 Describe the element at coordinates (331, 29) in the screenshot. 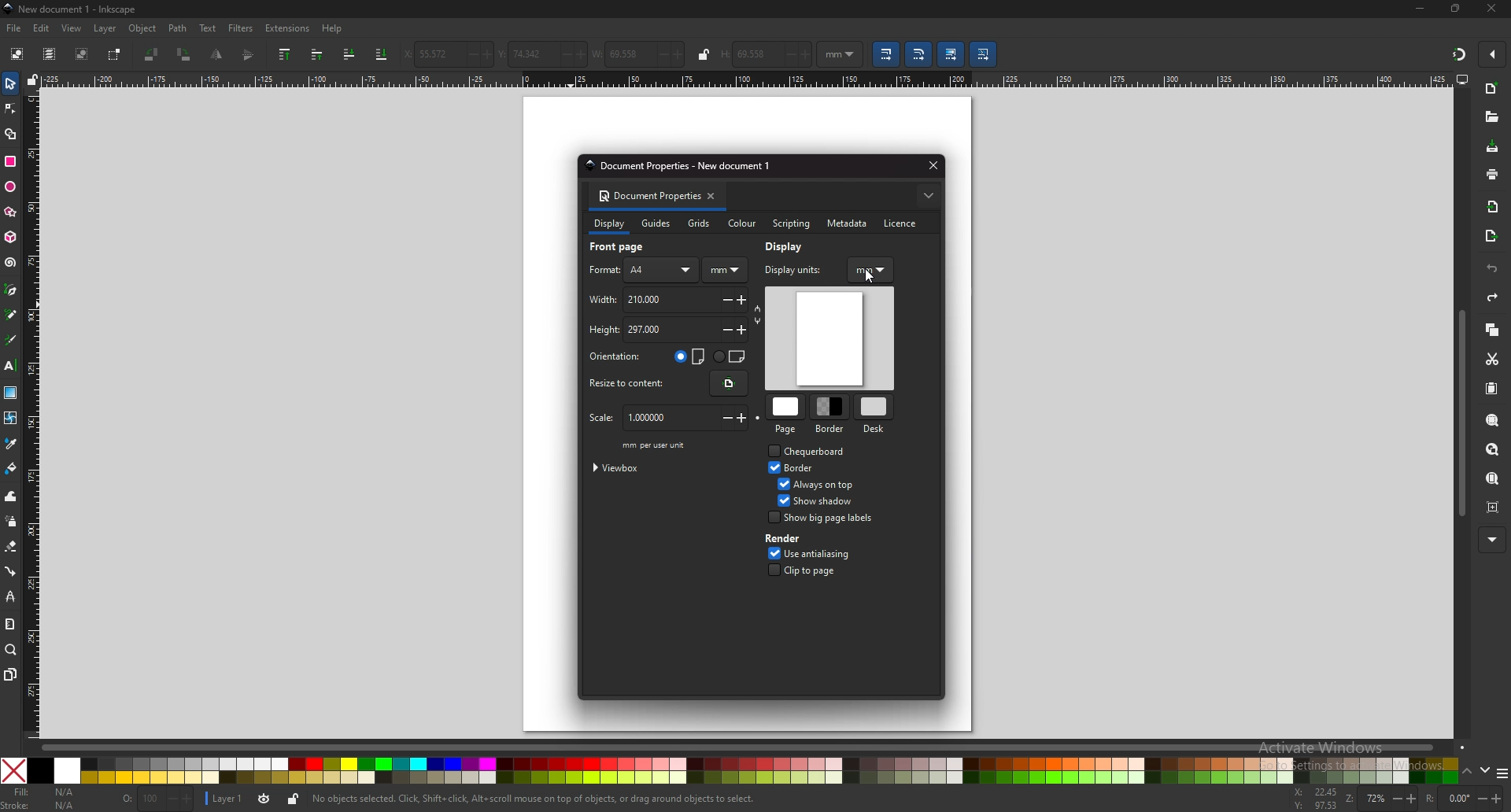

I see `help` at that location.